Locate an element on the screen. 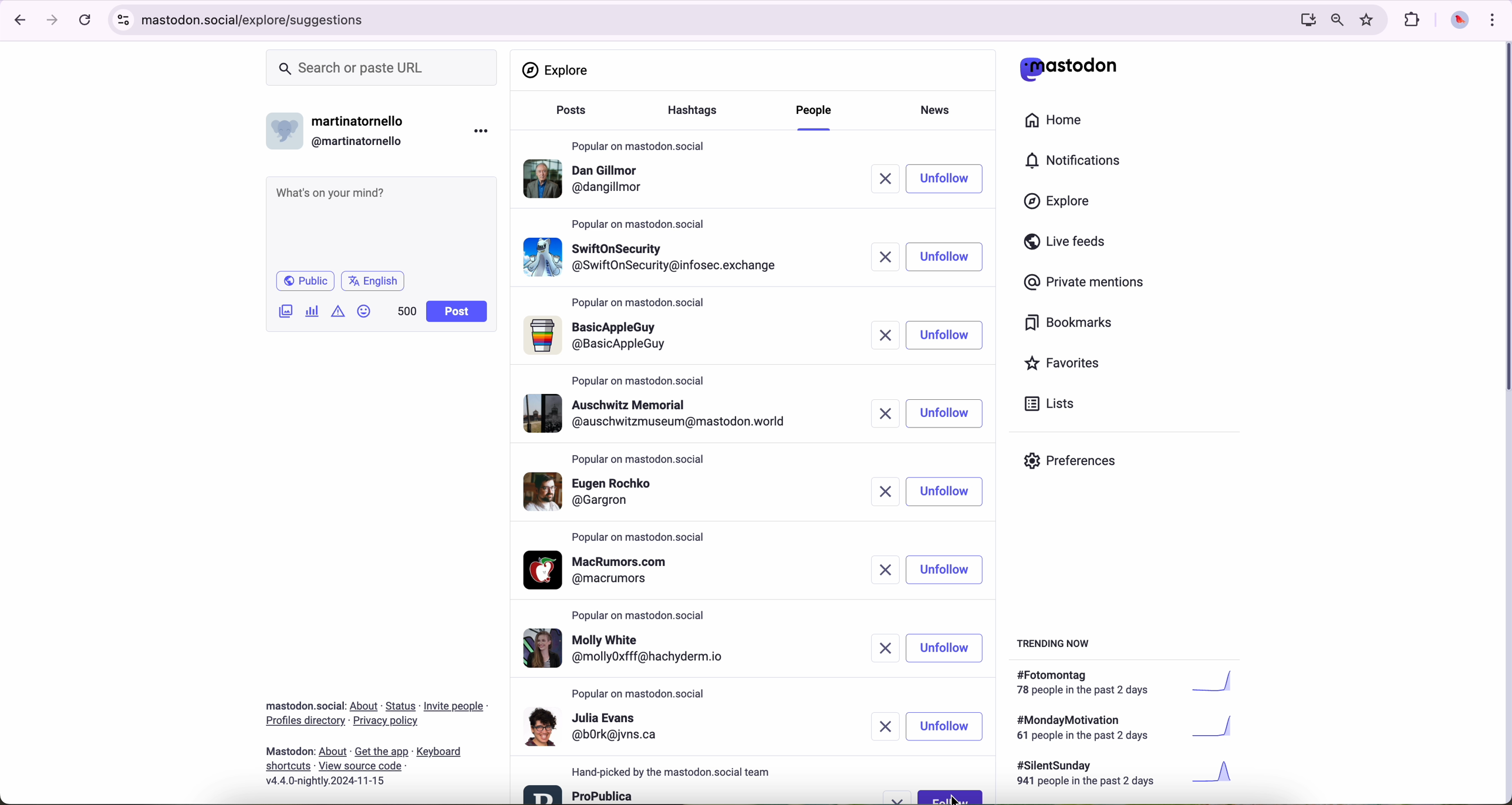 The height and width of the screenshot is (805, 1512). profile is located at coordinates (601, 336).